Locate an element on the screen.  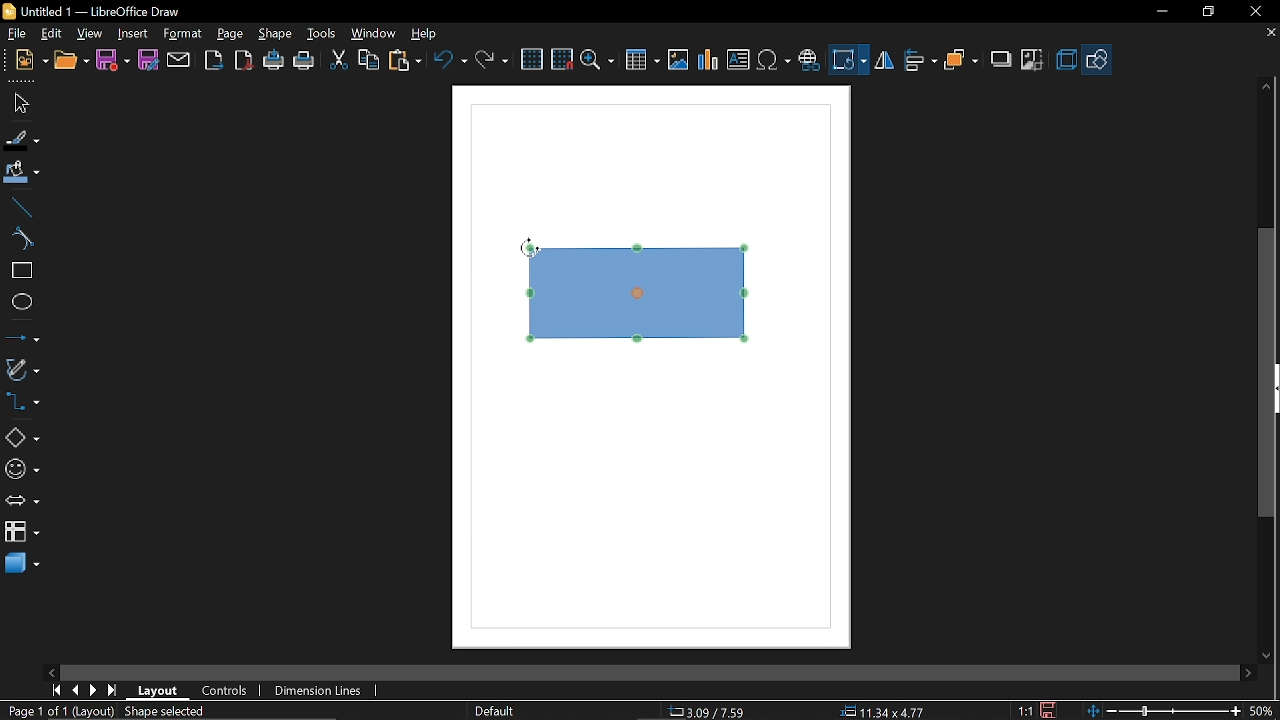
lines and arrows is located at coordinates (22, 339).